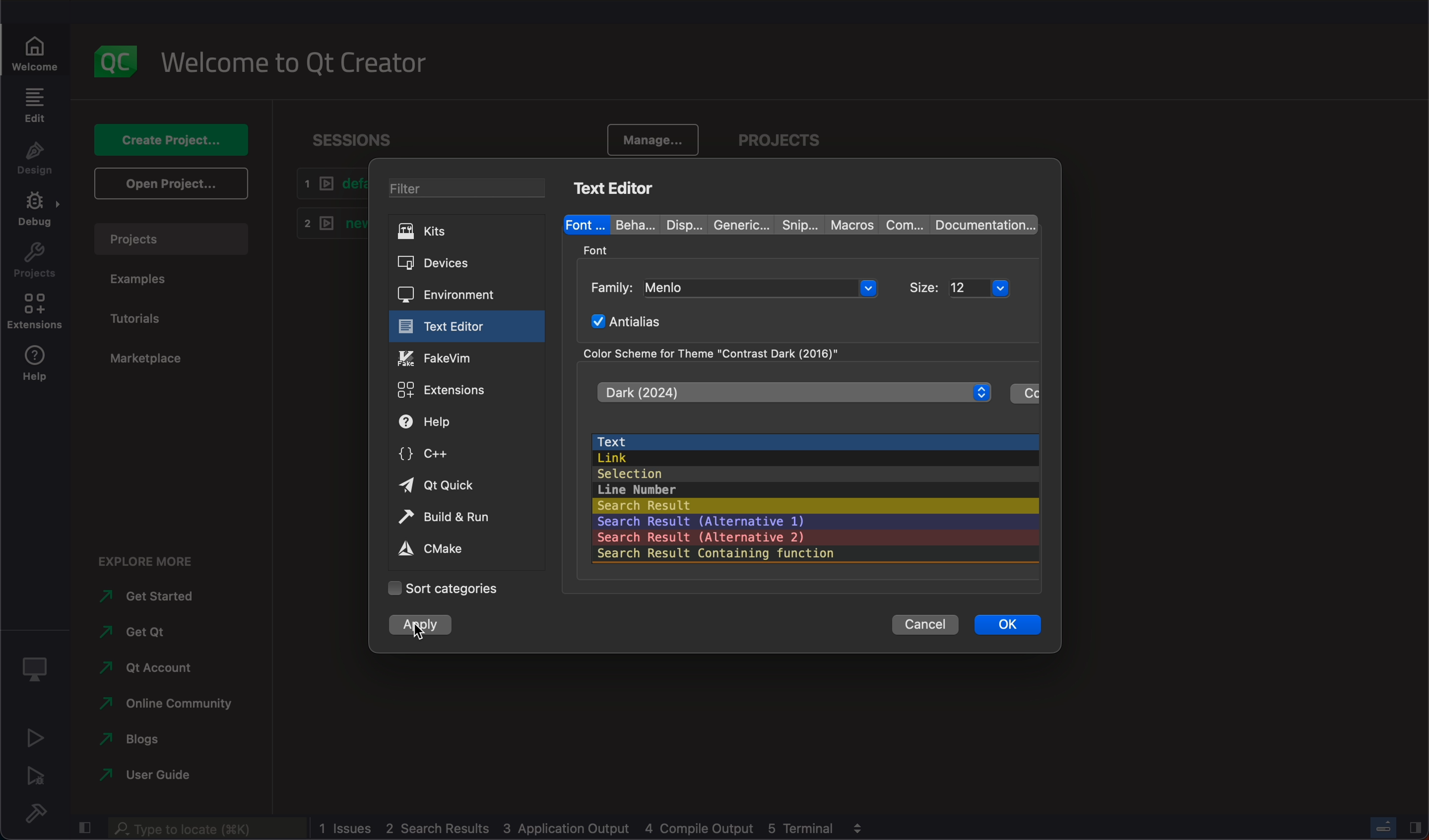 The width and height of the screenshot is (1429, 840). Describe the element at coordinates (326, 226) in the screenshot. I see `new1` at that location.